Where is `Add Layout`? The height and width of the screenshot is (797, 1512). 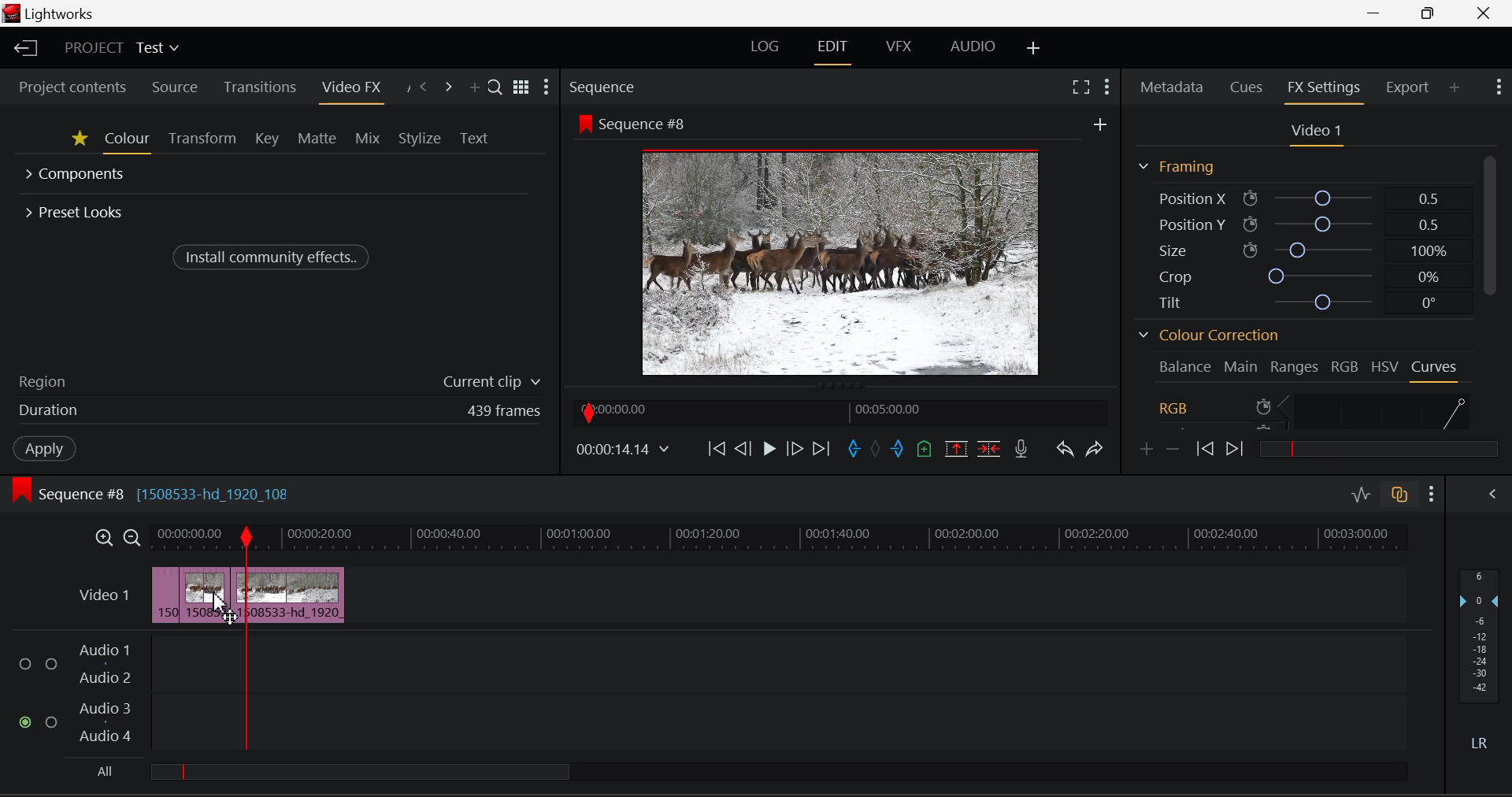
Add Layout is located at coordinates (1035, 50).